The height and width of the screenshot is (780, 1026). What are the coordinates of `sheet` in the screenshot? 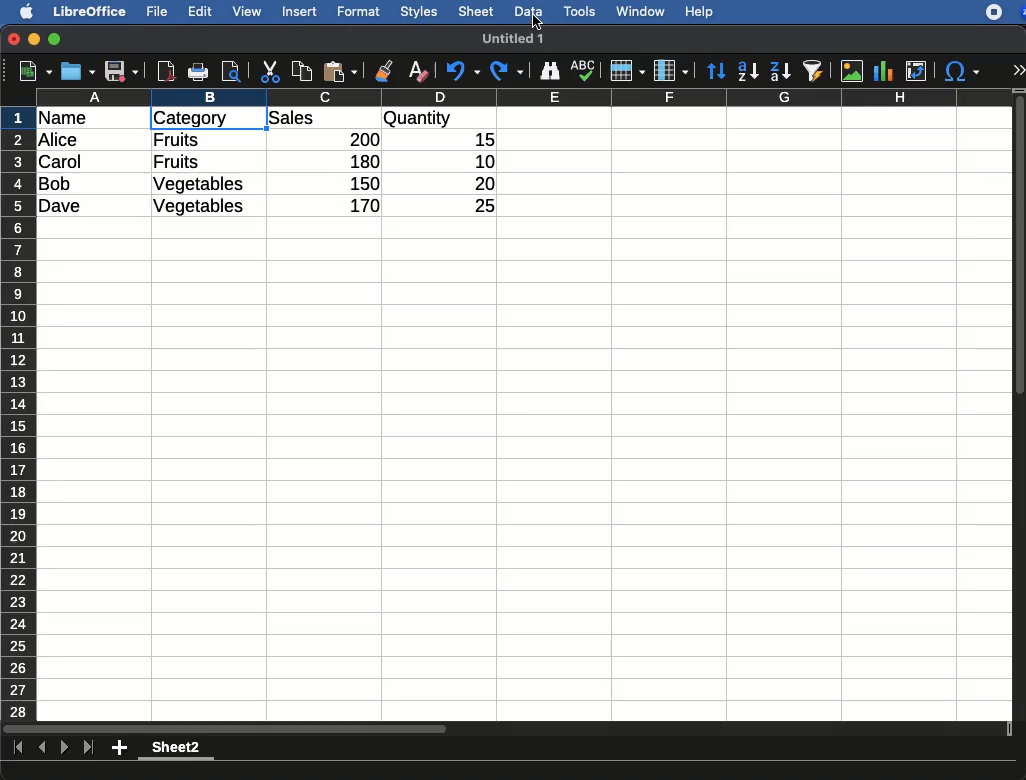 It's located at (477, 11).